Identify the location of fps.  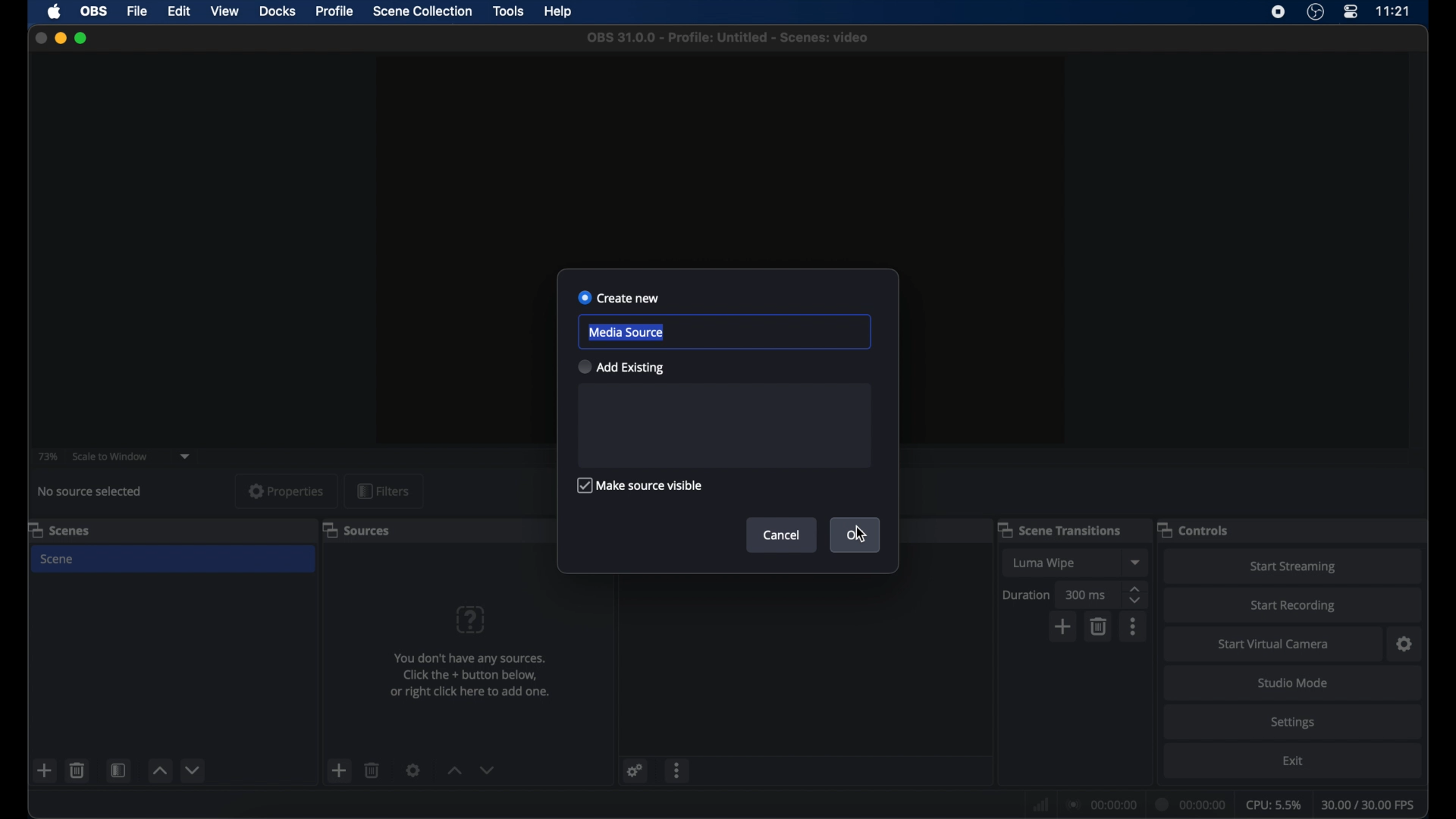
(1368, 805).